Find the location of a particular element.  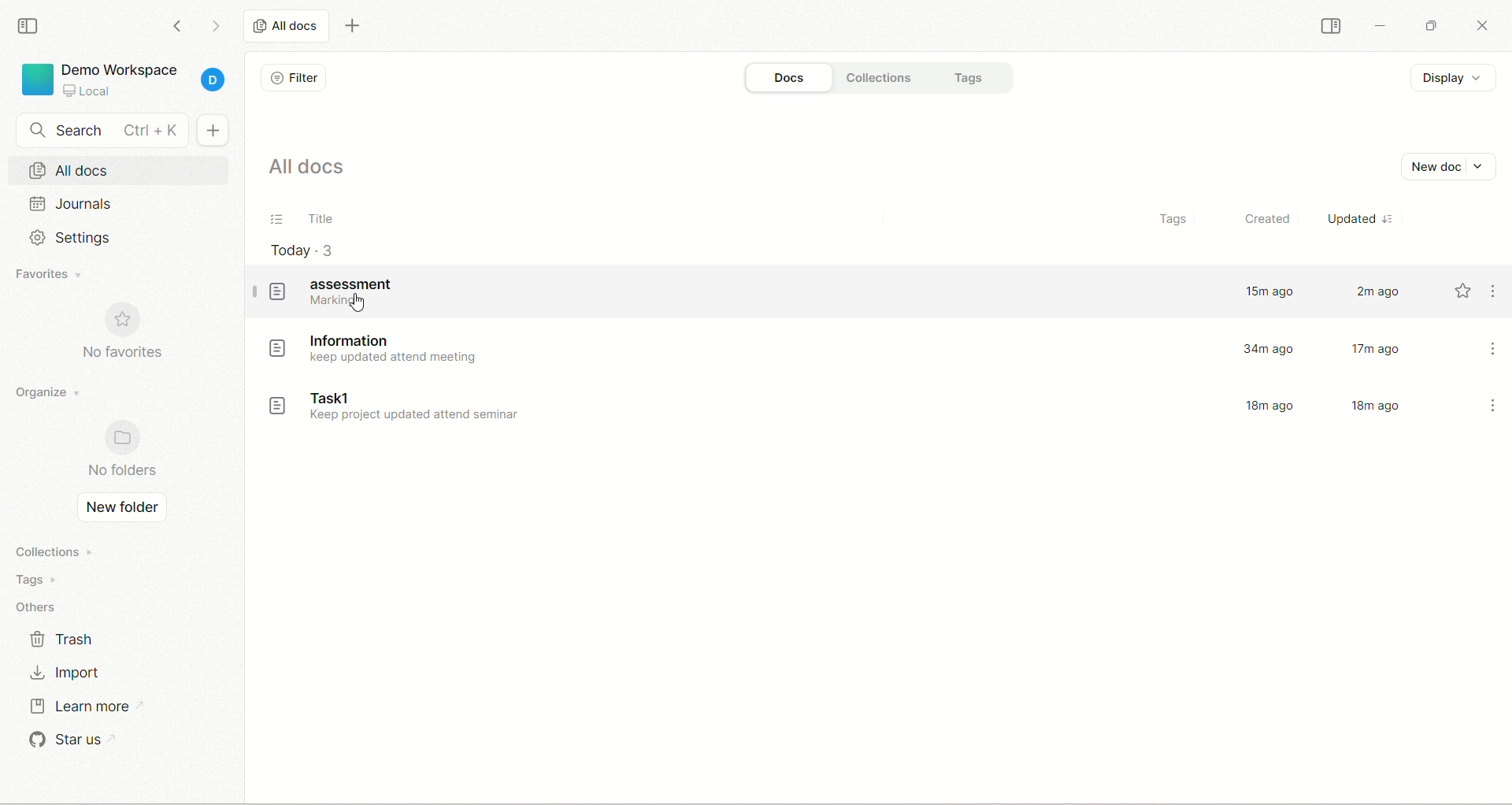

profile is located at coordinates (215, 76).